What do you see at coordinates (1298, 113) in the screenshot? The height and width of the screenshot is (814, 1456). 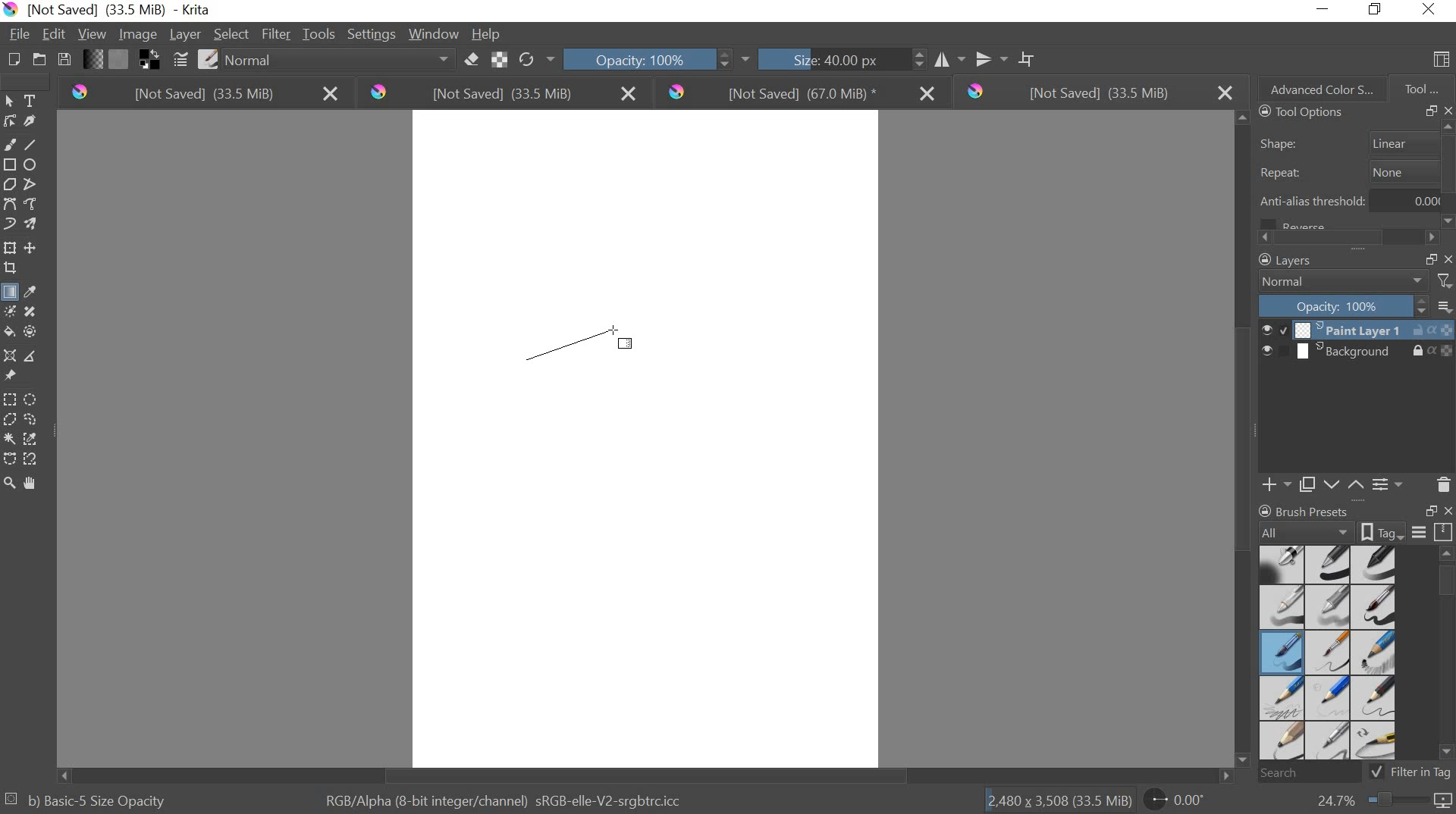 I see `TOOLS OPTIONS` at bounding box center [1298, 113].